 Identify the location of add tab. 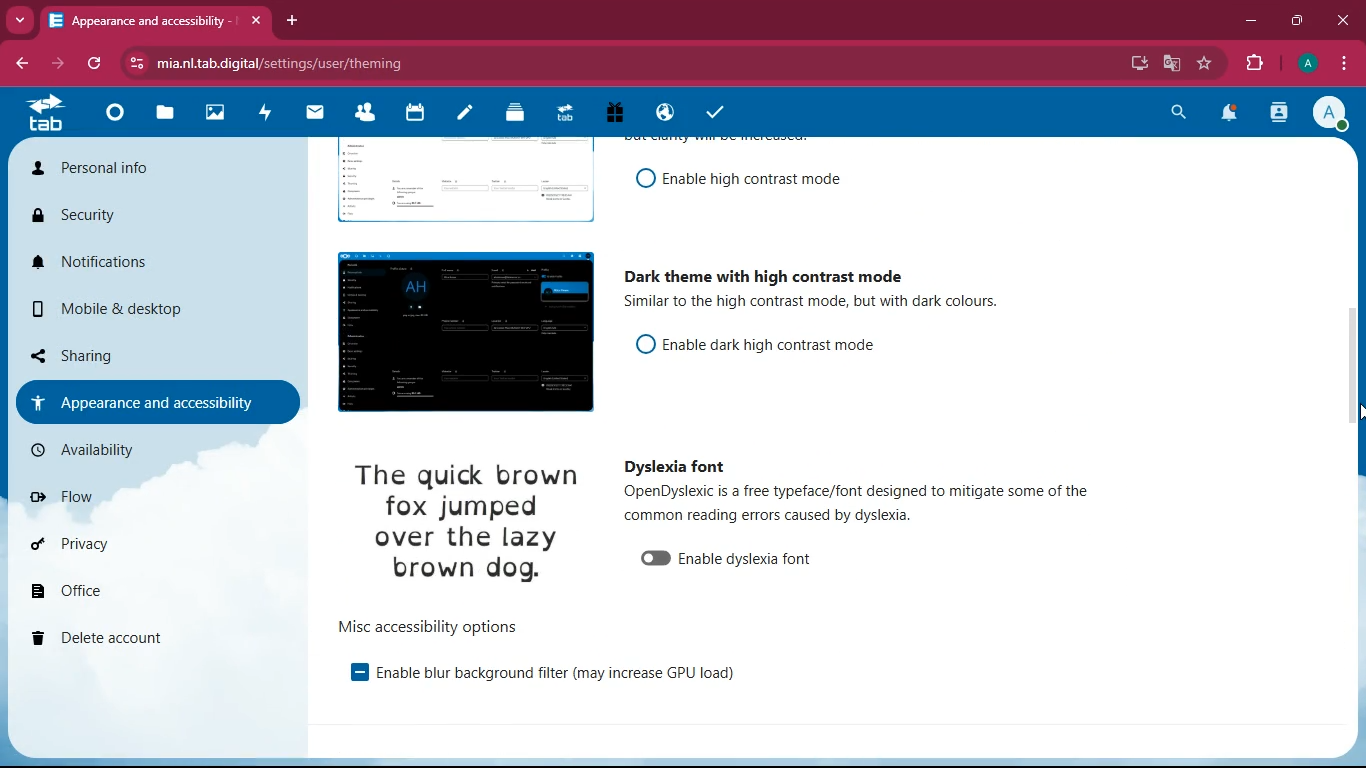
(292, 20).